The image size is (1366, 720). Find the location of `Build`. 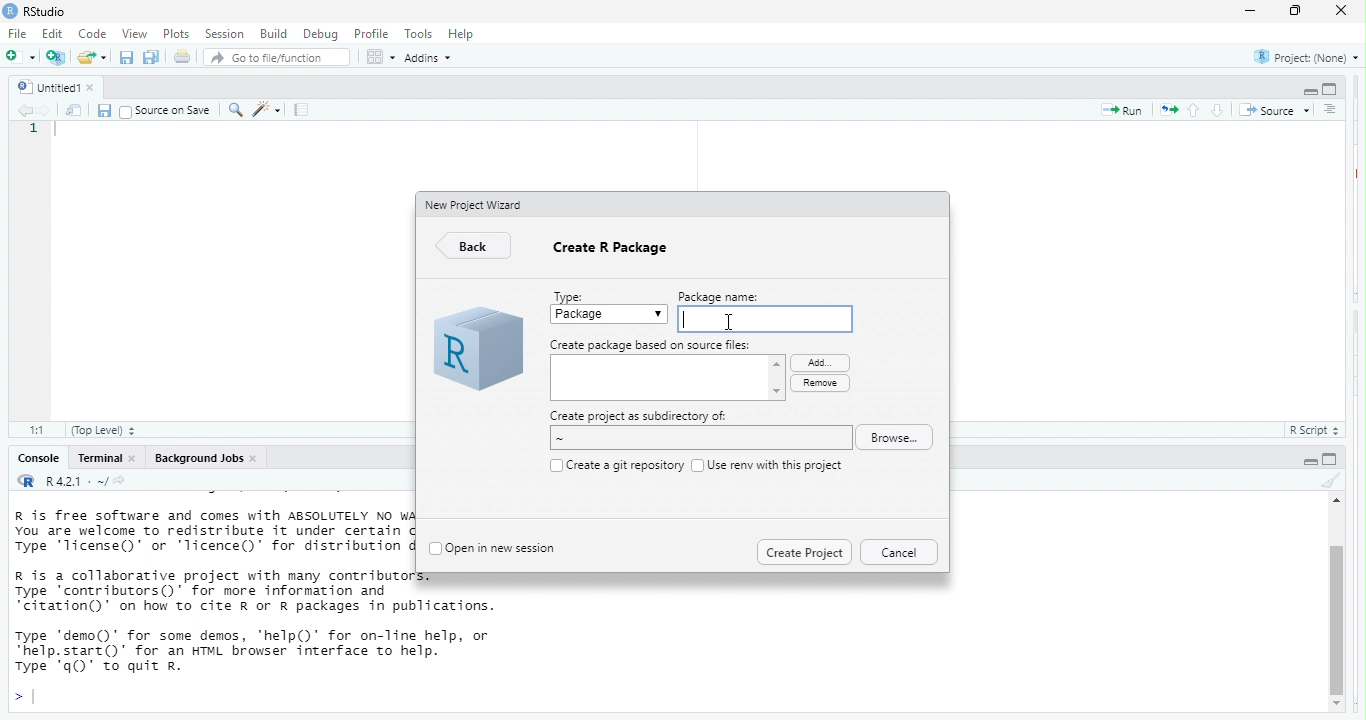

Build is located at coordinates (273, 33).